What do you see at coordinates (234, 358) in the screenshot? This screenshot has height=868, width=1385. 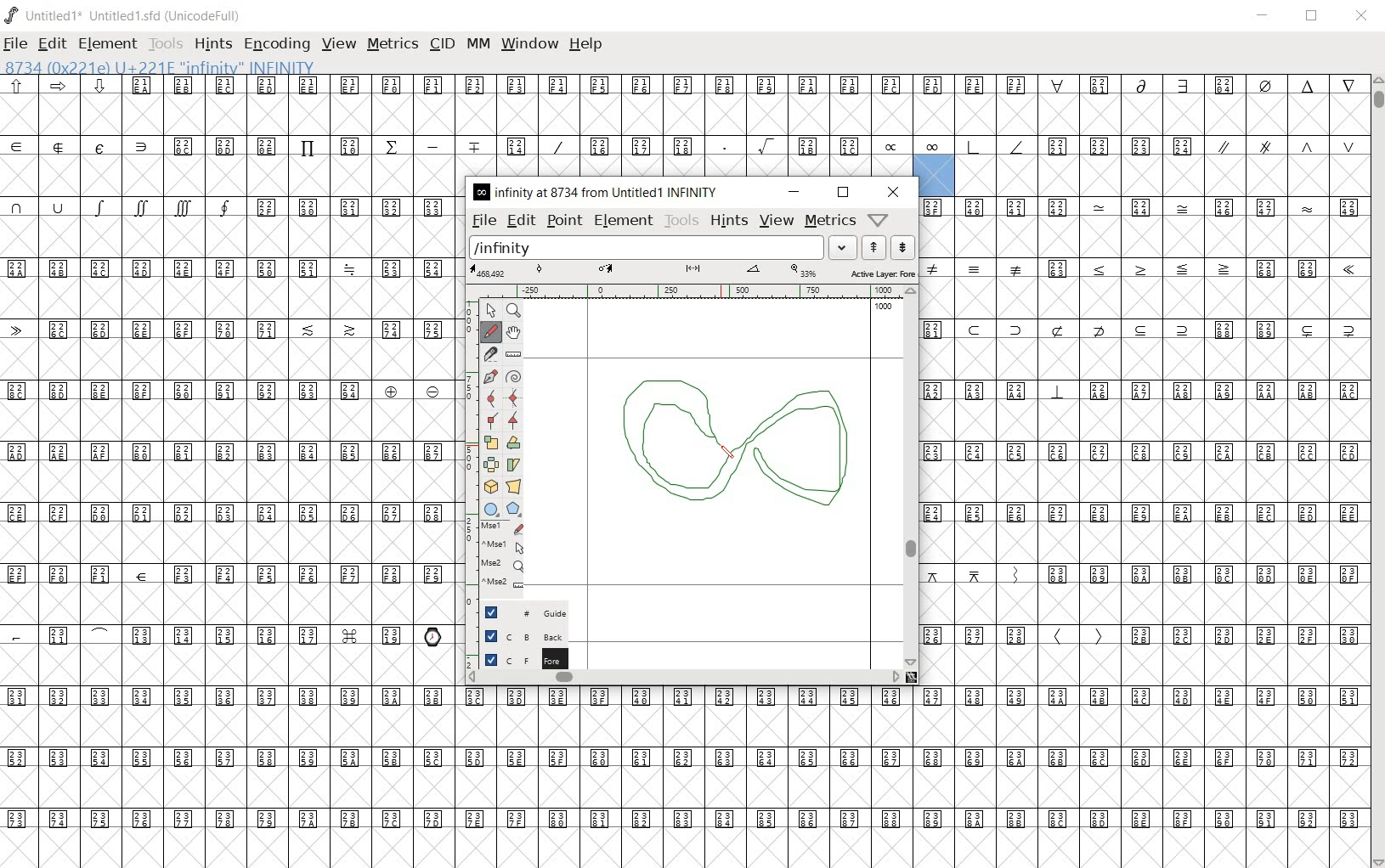 I see `empty glyph slots` at bounding box center [234, 358].